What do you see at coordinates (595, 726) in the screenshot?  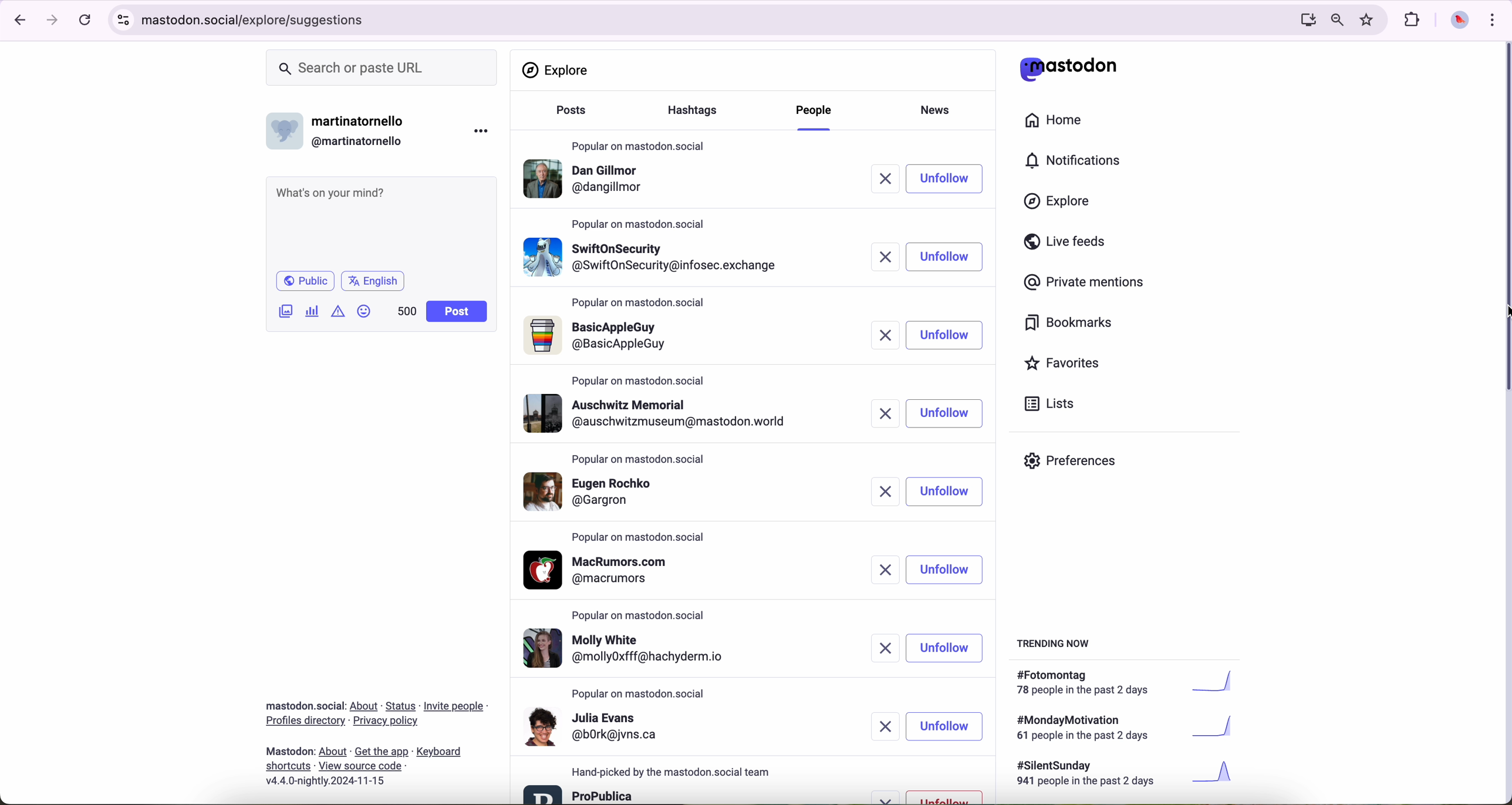 I see `profile` at bounding box center [595, 726].